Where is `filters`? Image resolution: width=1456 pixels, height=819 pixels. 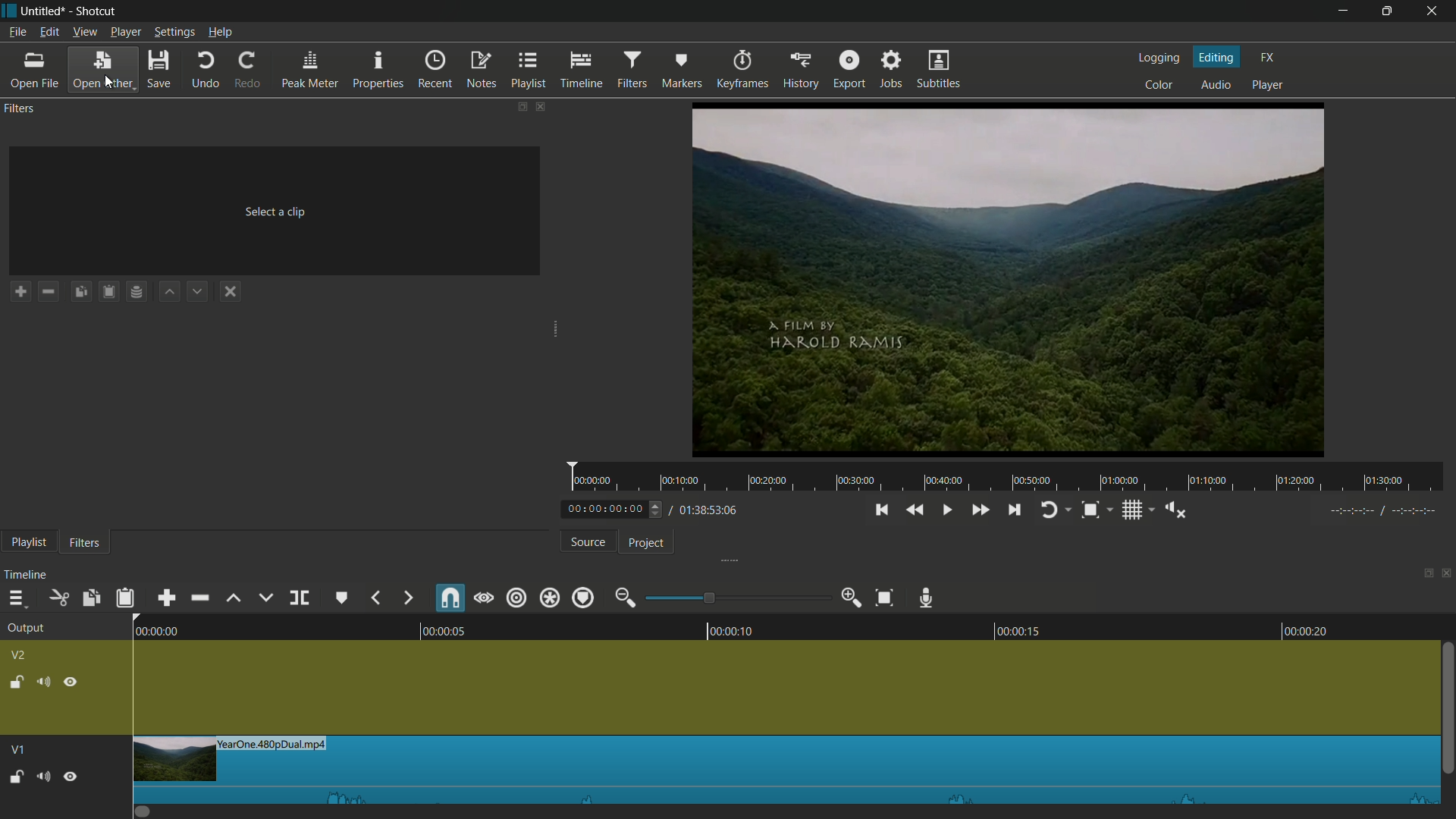 filters is located at coordinates (88, 542).